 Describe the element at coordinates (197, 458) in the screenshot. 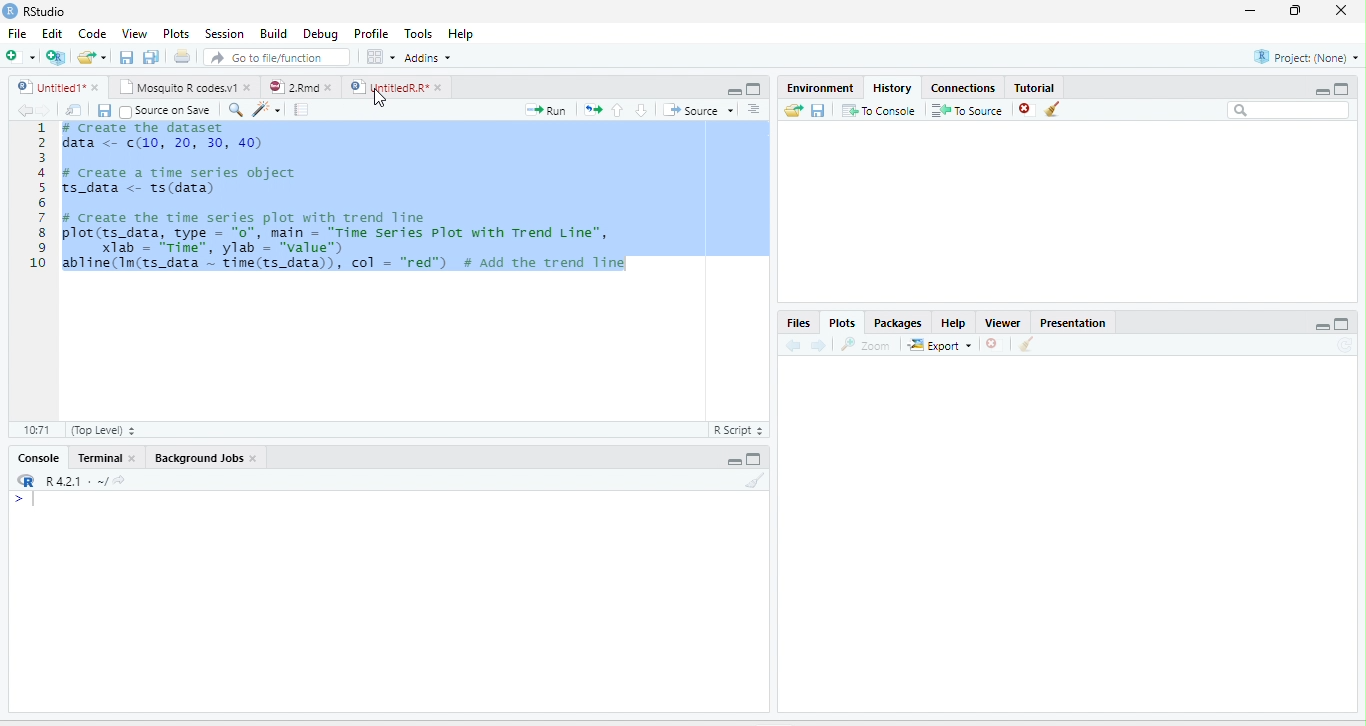

I see `Background Jobs` at that location.